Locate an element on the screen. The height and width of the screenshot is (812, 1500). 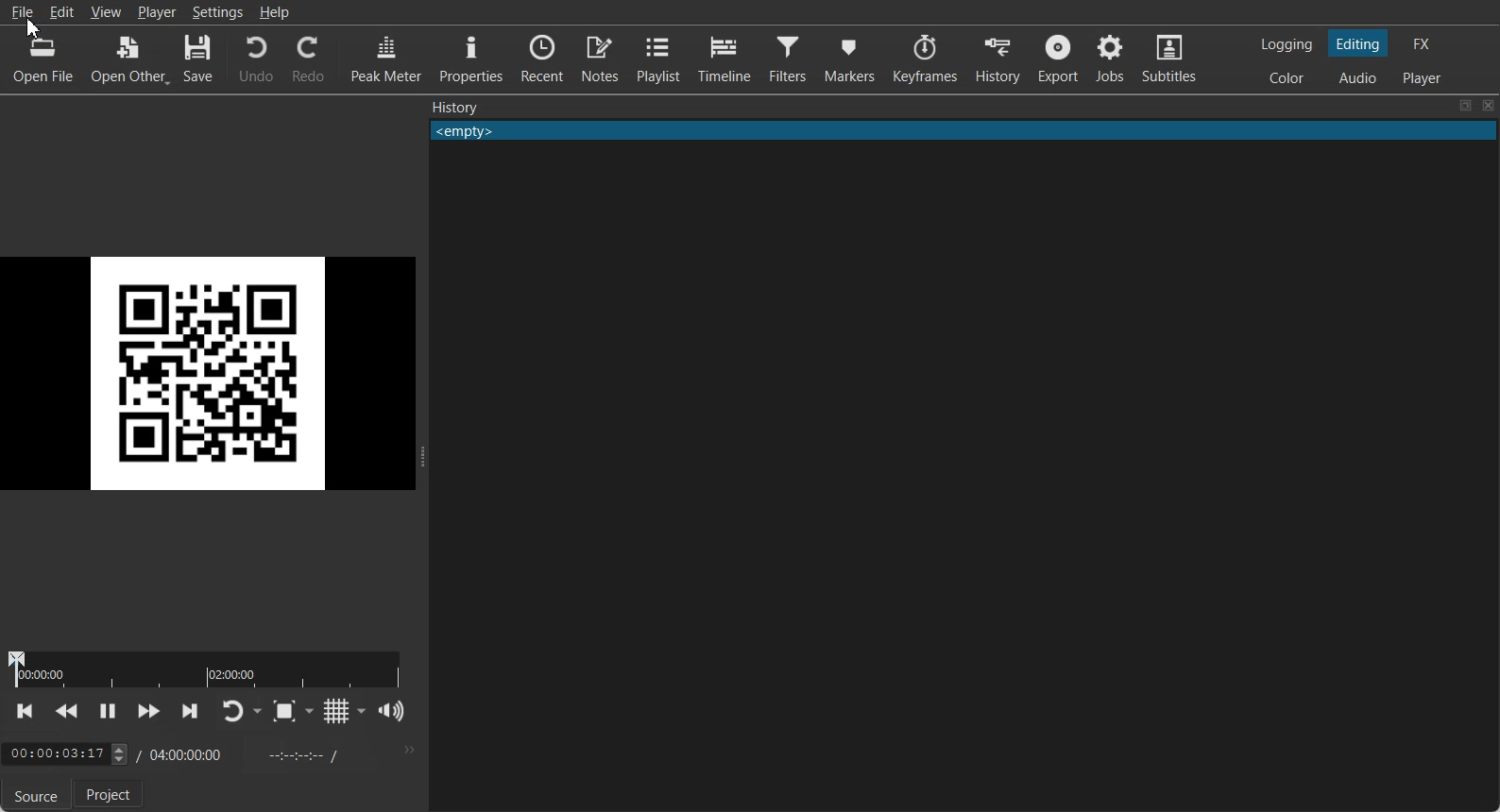
Project is located at coordinates (111, 795).